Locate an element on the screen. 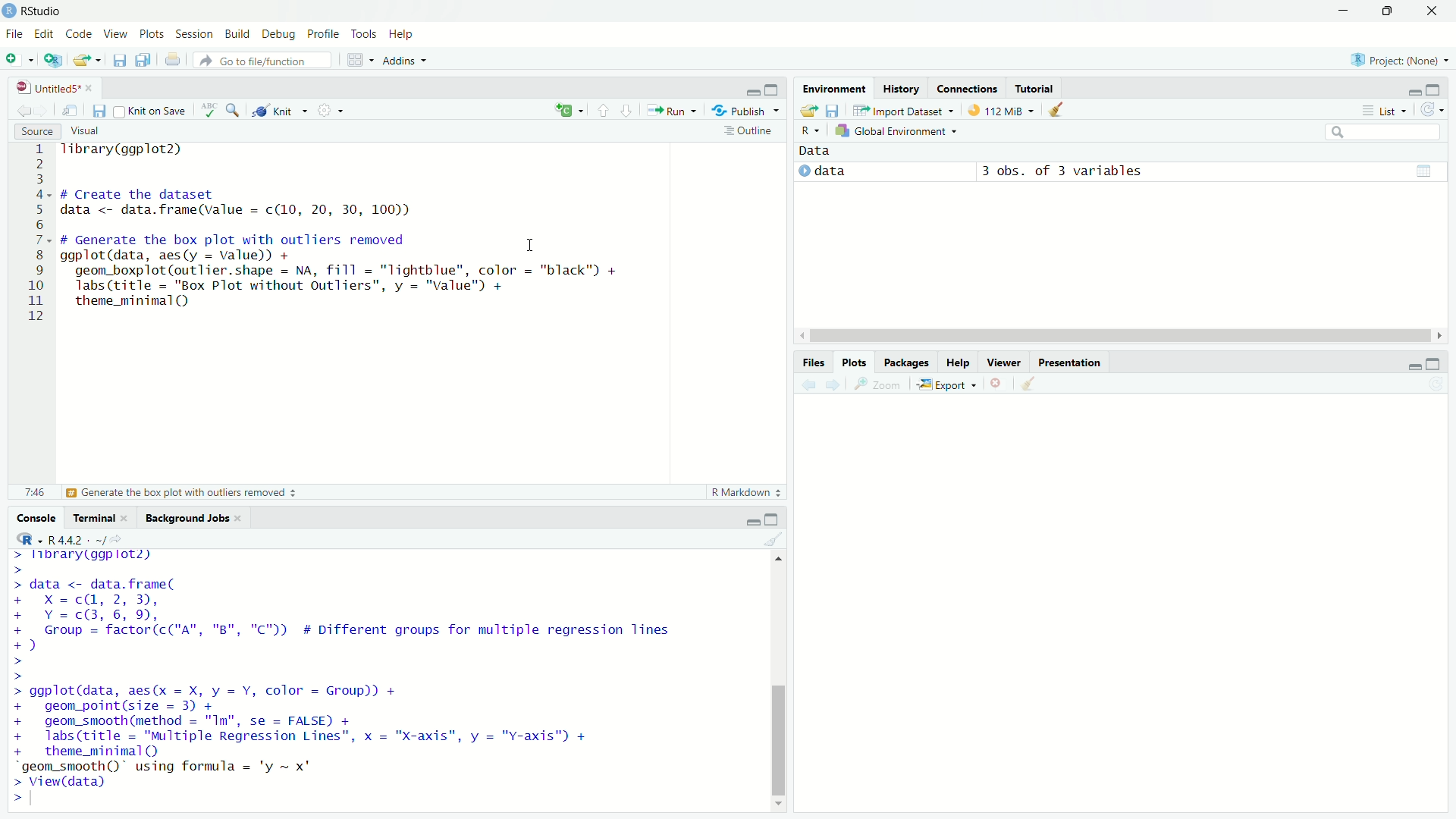  maximise is located at coordinates (1435, 366).